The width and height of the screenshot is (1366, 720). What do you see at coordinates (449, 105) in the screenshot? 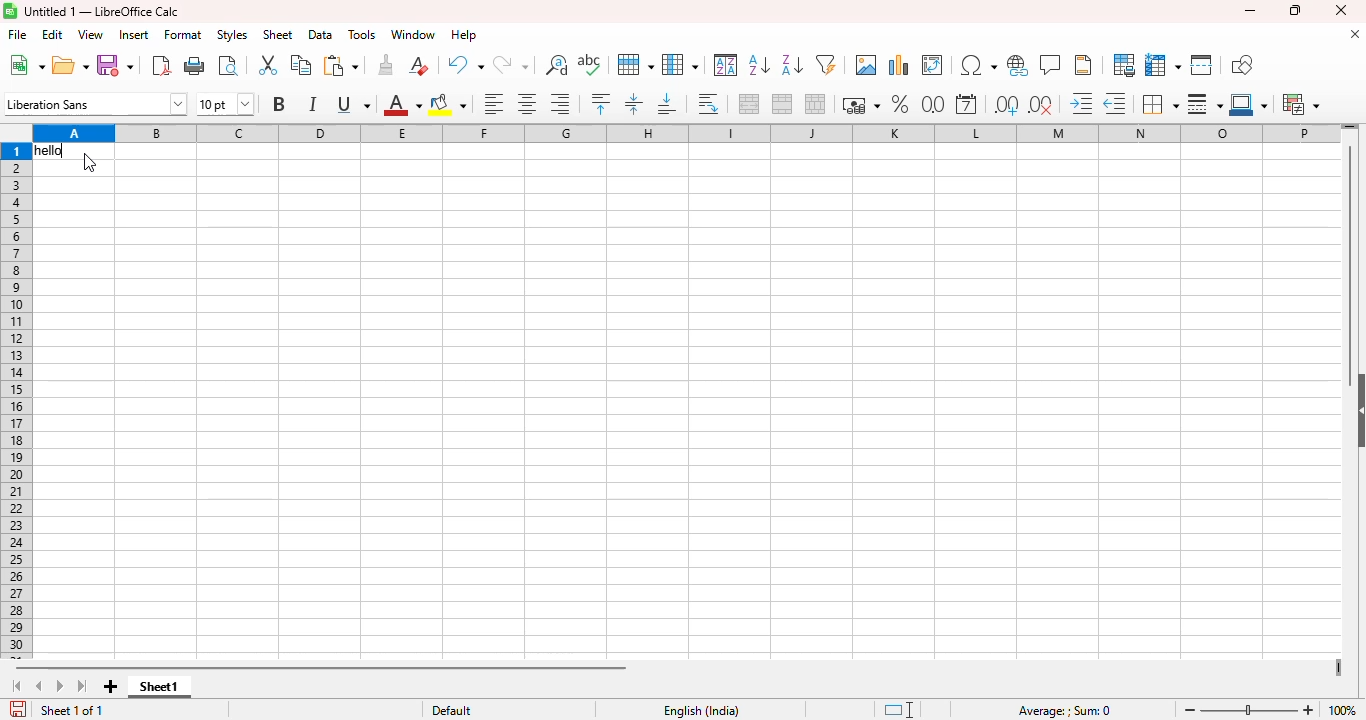
I see `background color` at bounding box center [449, 105].